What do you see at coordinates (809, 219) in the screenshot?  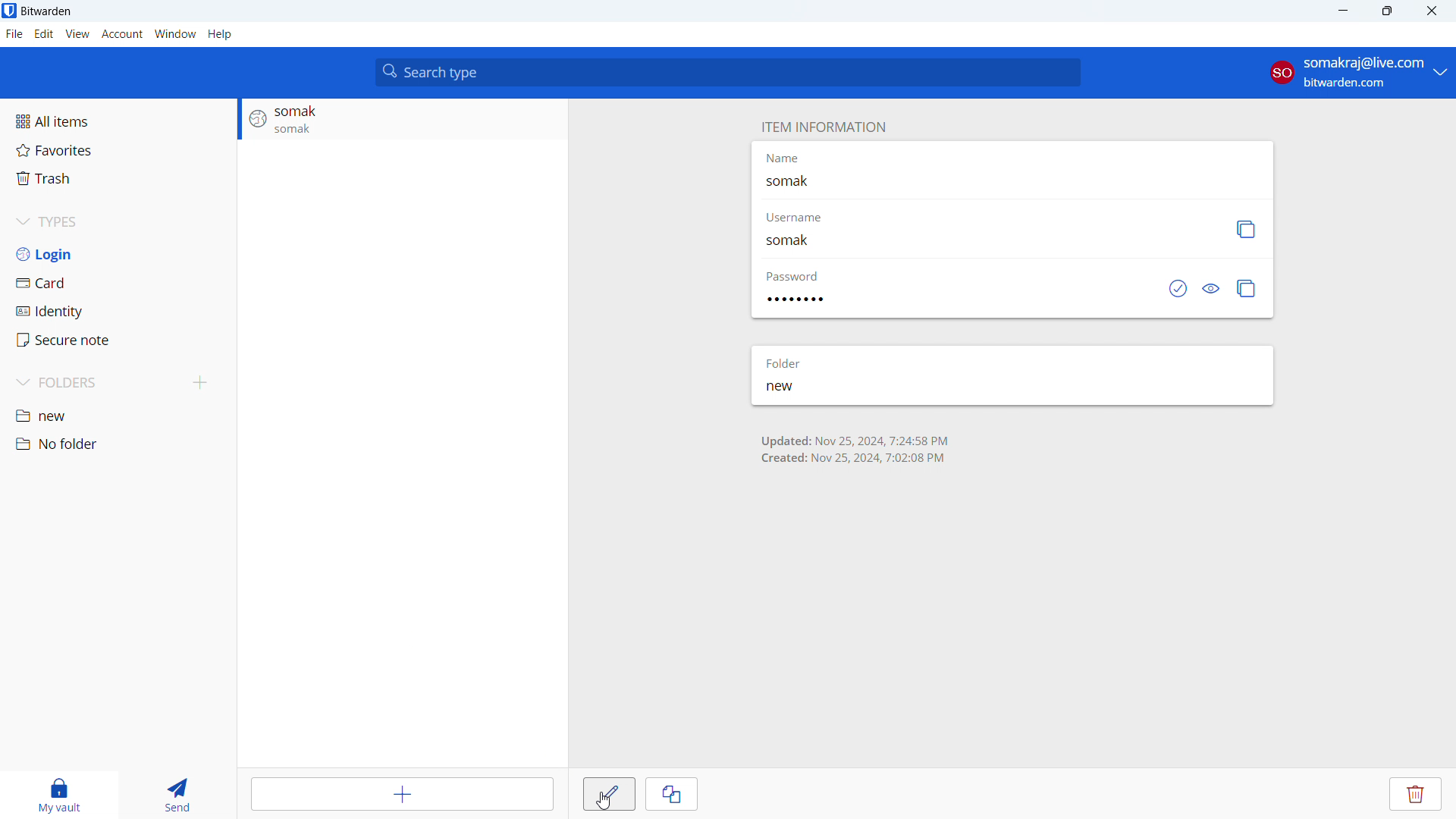 I see `username` at bounding box center [809, 219].